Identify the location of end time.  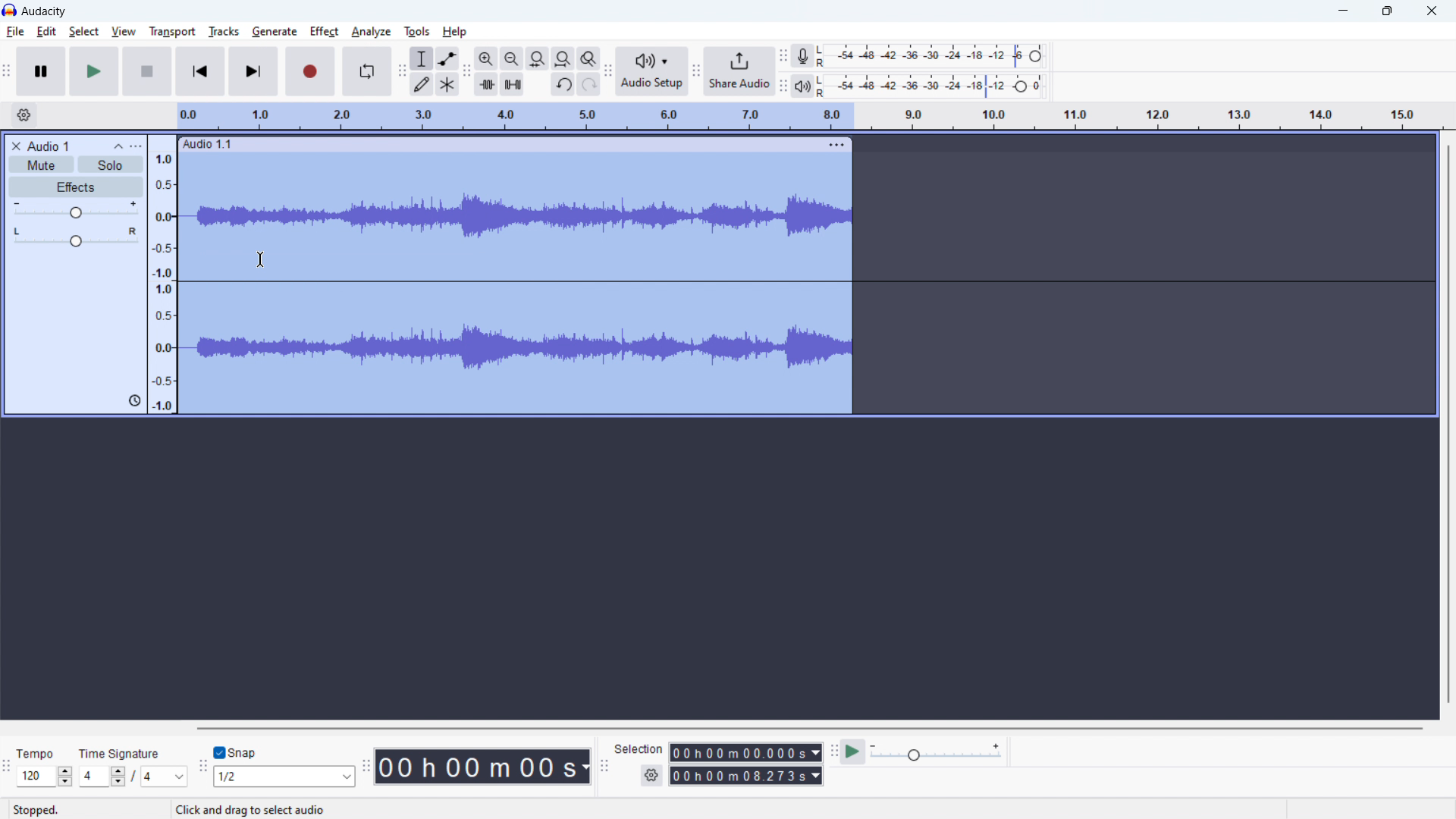
(745, 776).